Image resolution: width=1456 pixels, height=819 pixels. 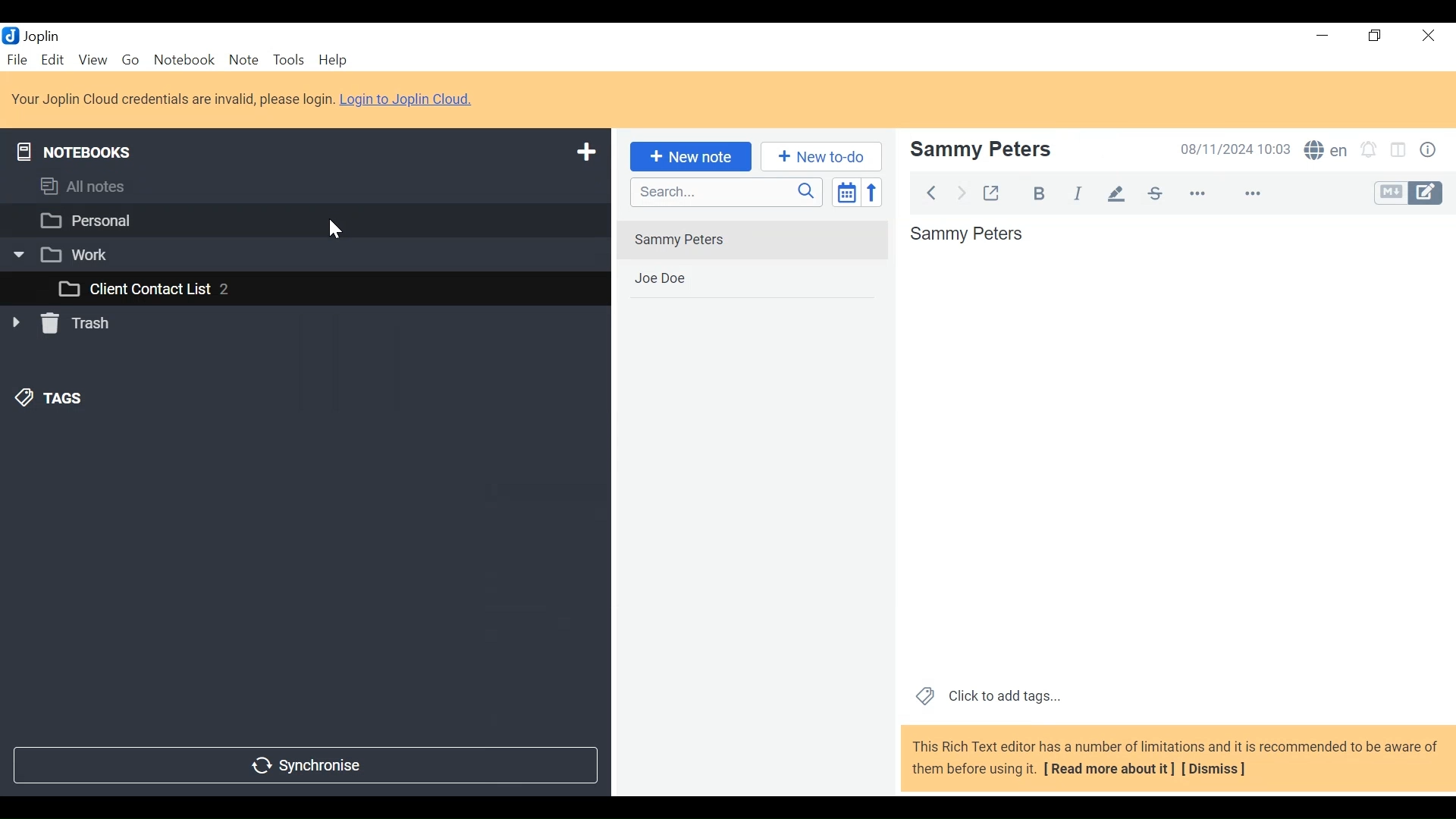 What do you see at coordinates (727, 194) in the screenshot?
I see `Search` at bounding box center [727, 194].